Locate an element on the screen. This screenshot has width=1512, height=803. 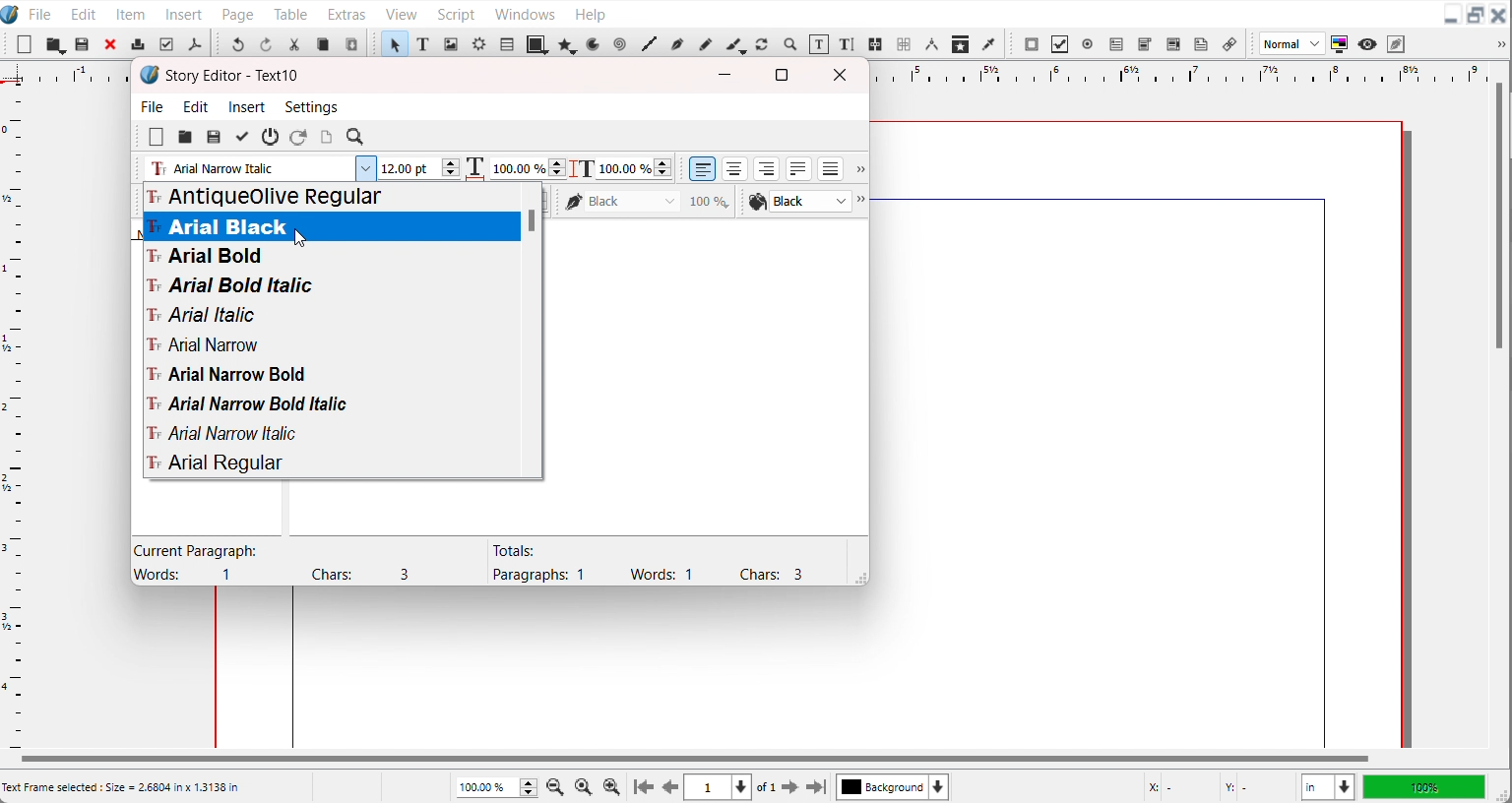
100% is located at coordinates (1423, 786).